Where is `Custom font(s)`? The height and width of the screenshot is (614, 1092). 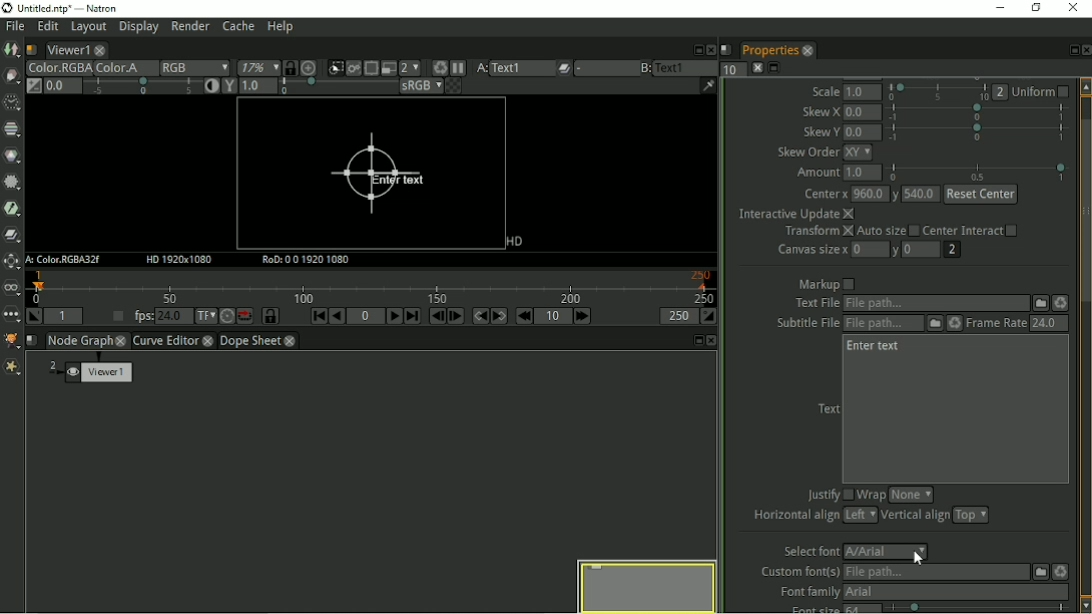 Custom font(s) is located at coordinates (798, 572).